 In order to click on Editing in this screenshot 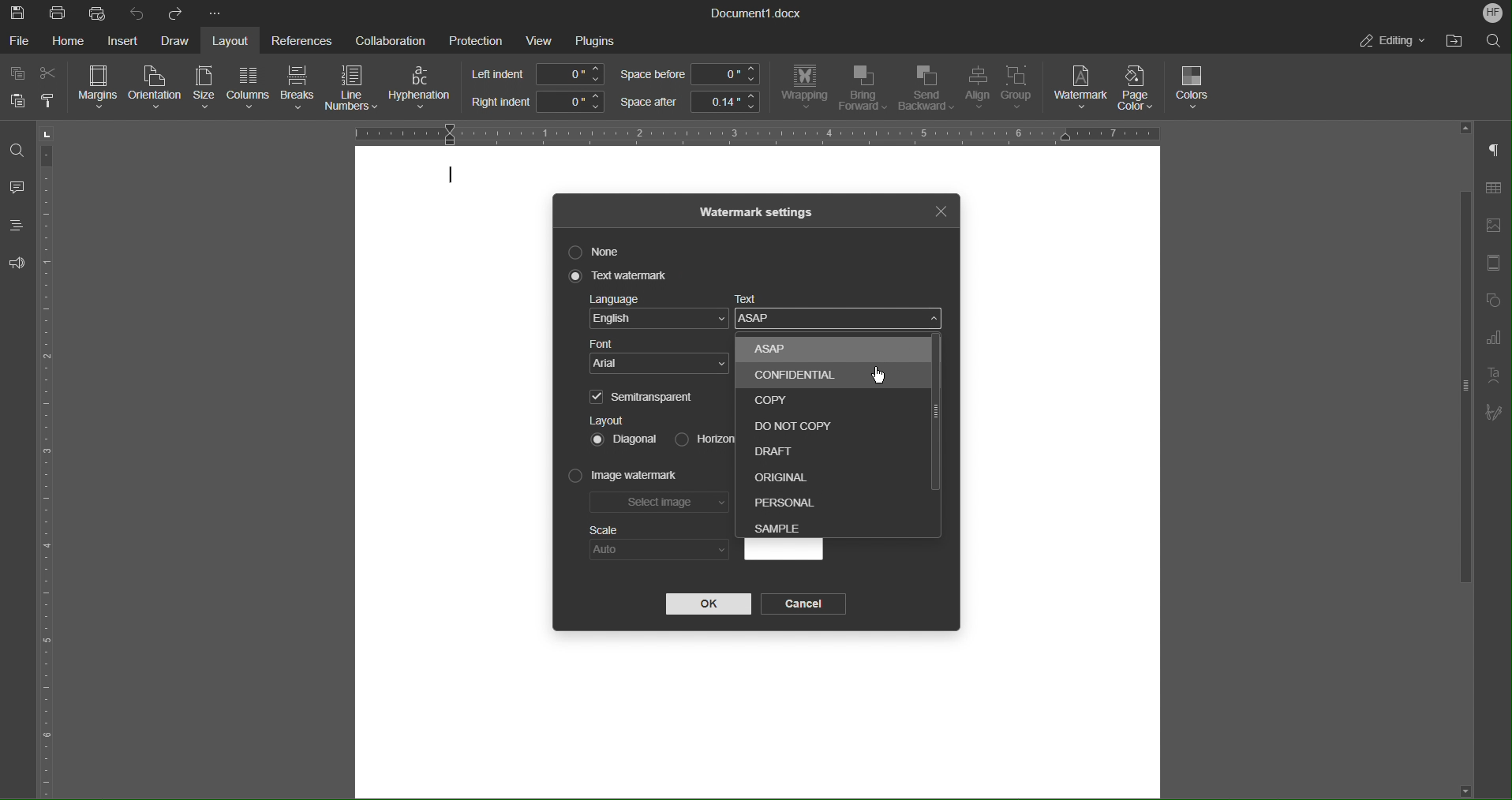, I will do `click(1391, 40)`.